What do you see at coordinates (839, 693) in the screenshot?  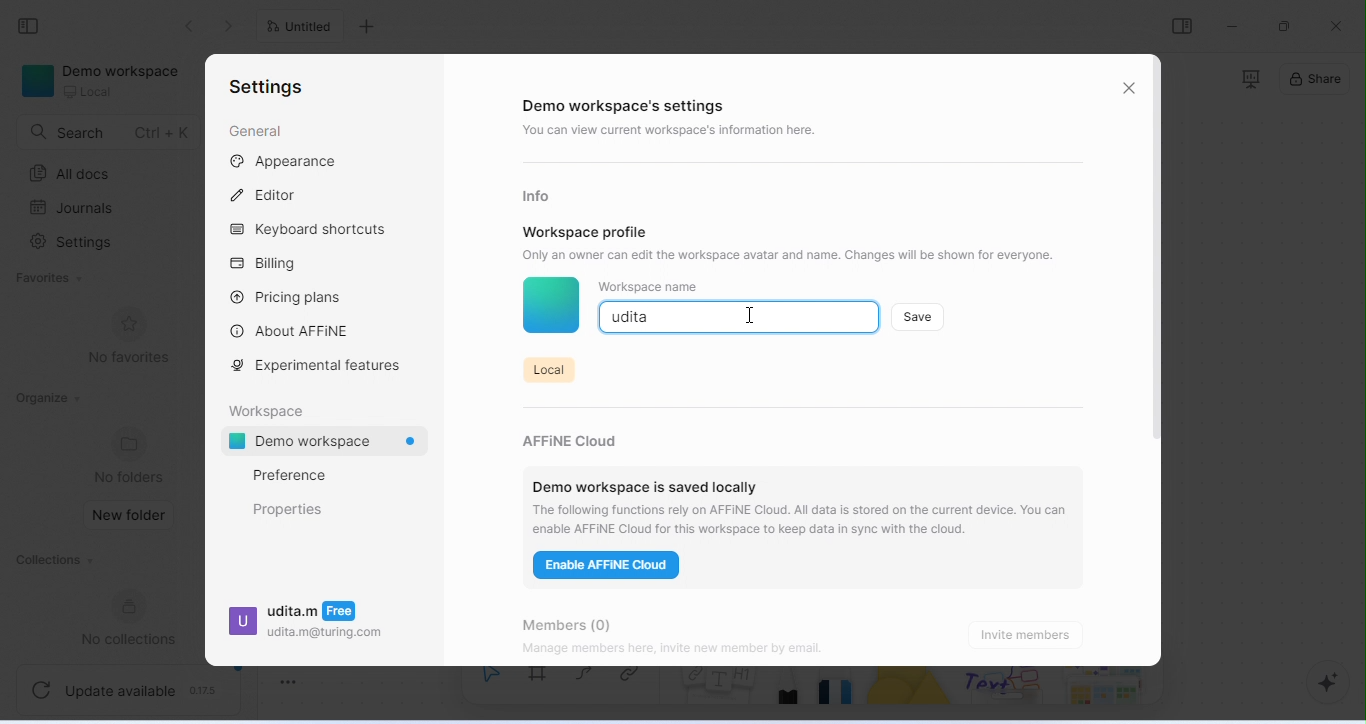 I see `eraser` at bounding box center [839, 693].